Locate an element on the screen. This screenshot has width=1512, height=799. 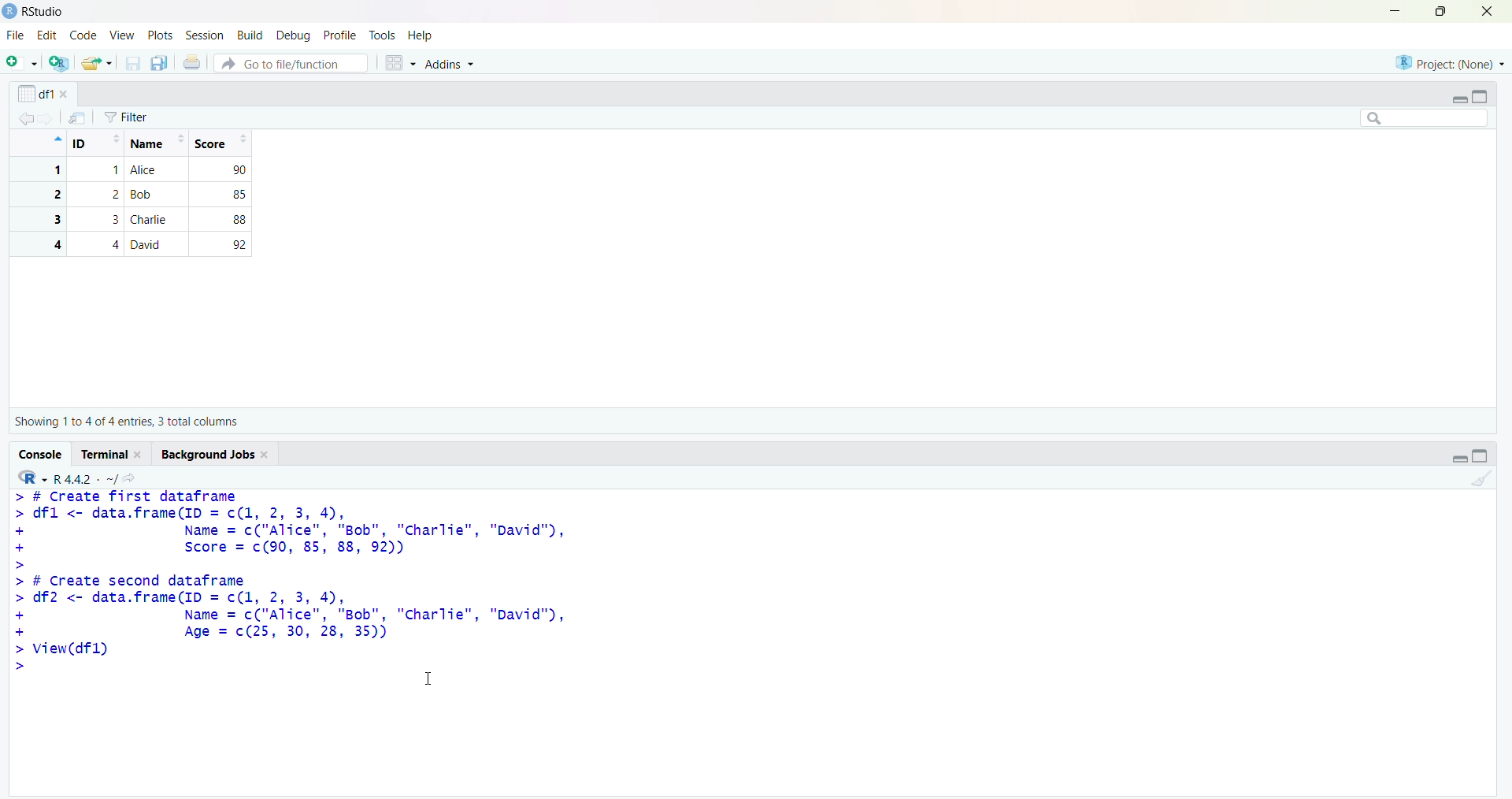
forward is located at coordinates (47, 119).